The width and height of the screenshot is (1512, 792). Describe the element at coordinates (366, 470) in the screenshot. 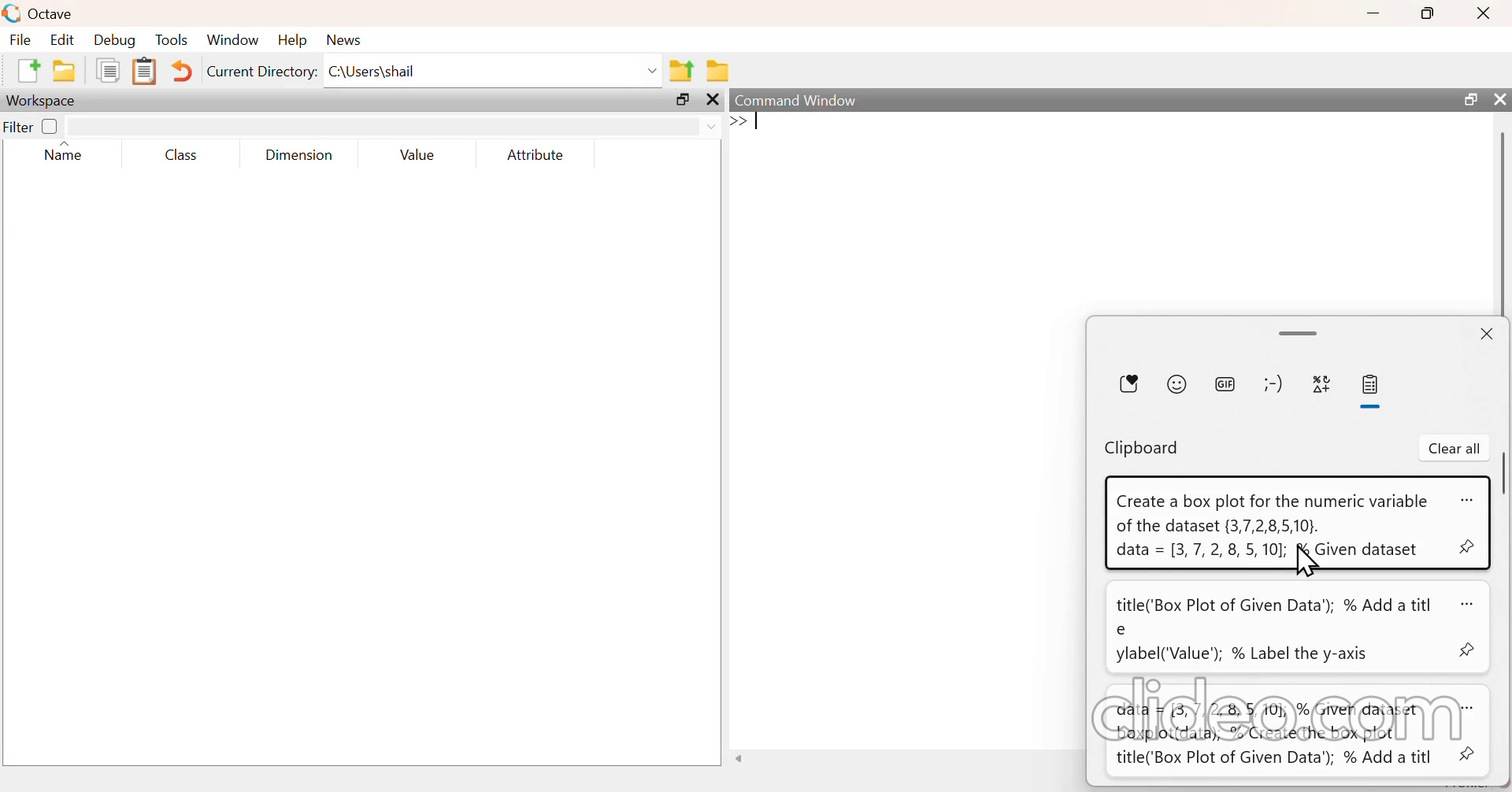

I see `empty area` at that location.